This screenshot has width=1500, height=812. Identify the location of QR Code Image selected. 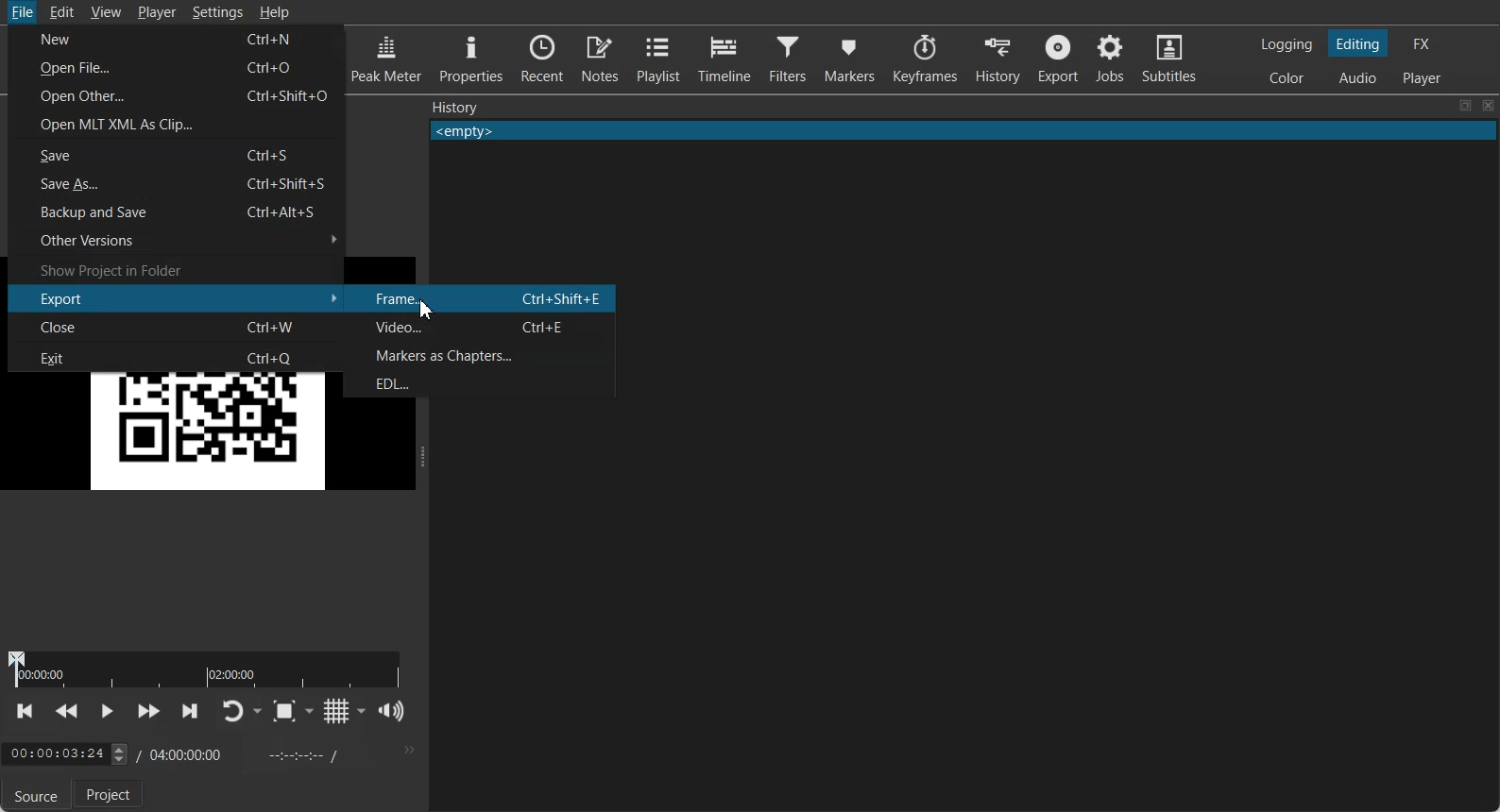
(178, 431).